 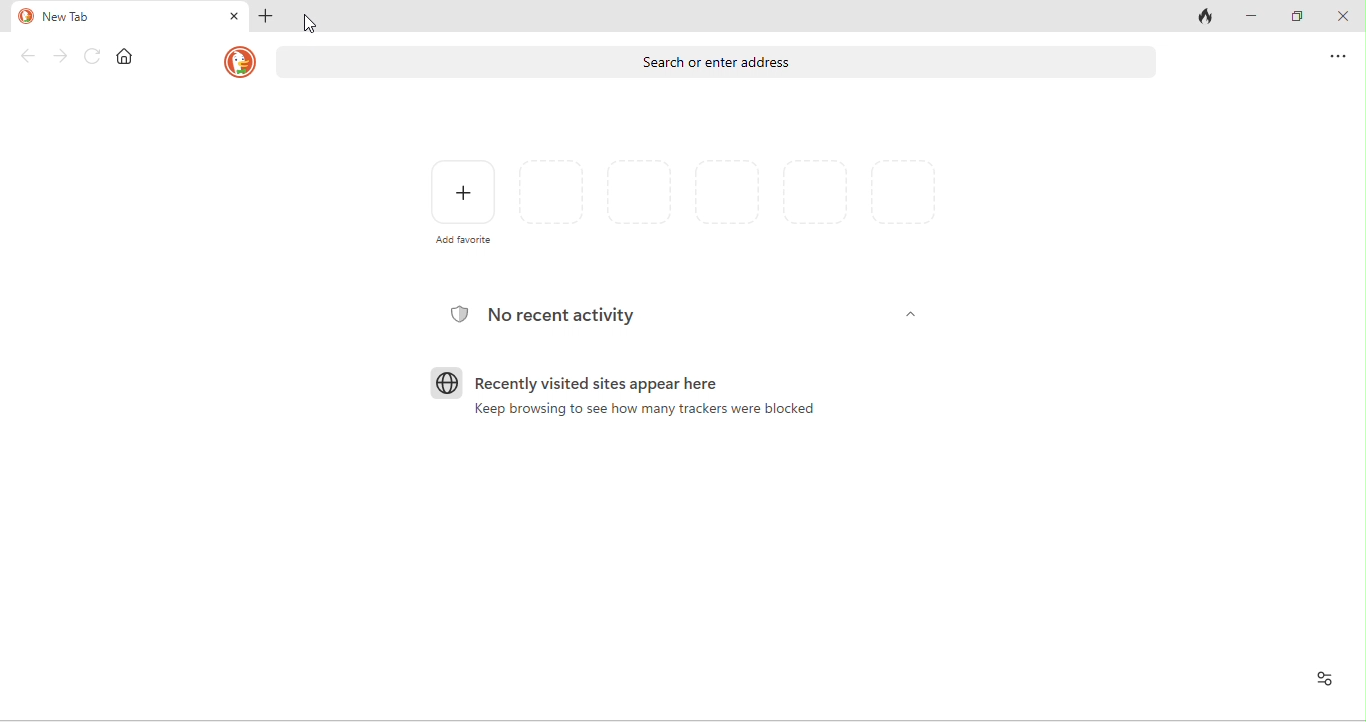 I want to click on search or enter address, so click(x=717, y=63).